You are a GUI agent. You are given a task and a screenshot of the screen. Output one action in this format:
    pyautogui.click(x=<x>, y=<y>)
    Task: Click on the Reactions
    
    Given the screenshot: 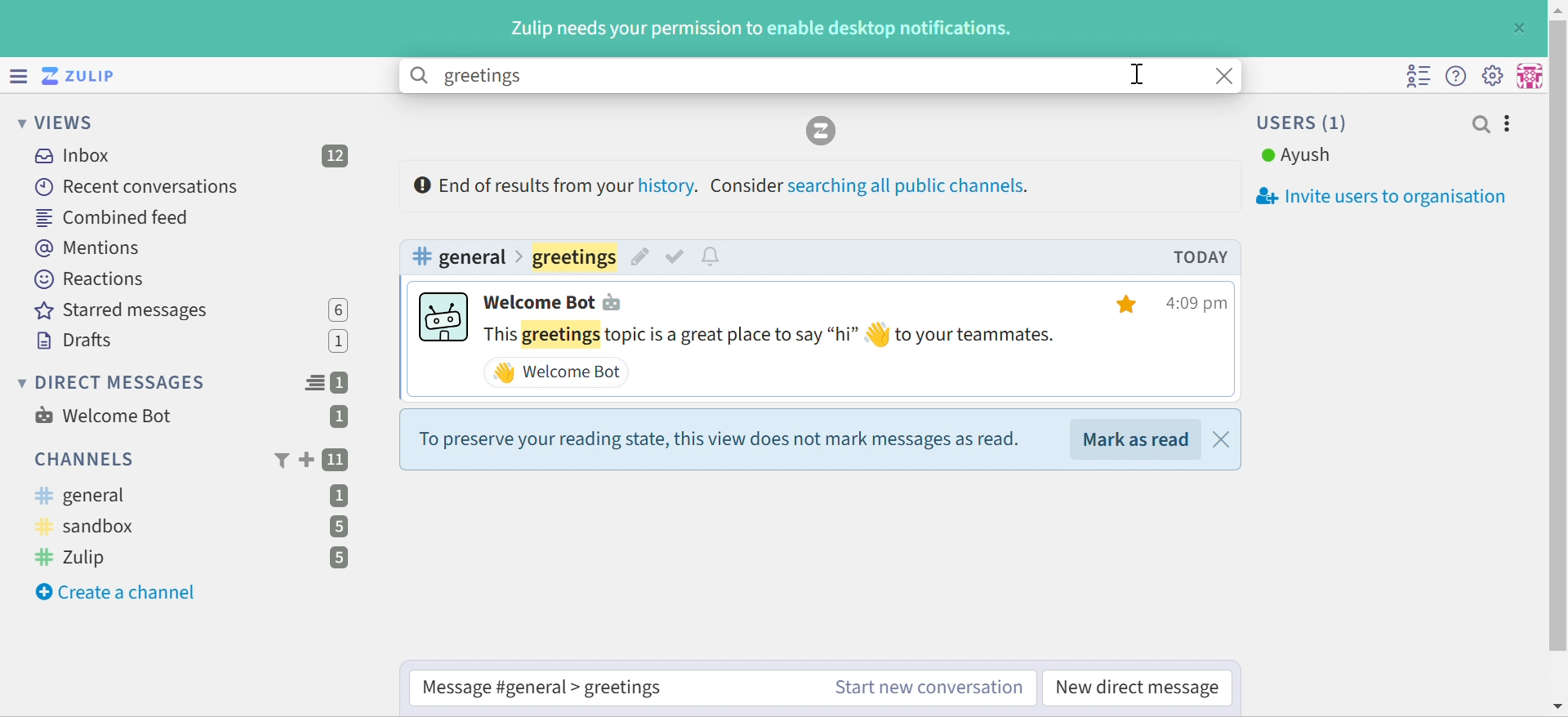 What is the action you would take?
    pyautogui.click(x=94, y=279)
    